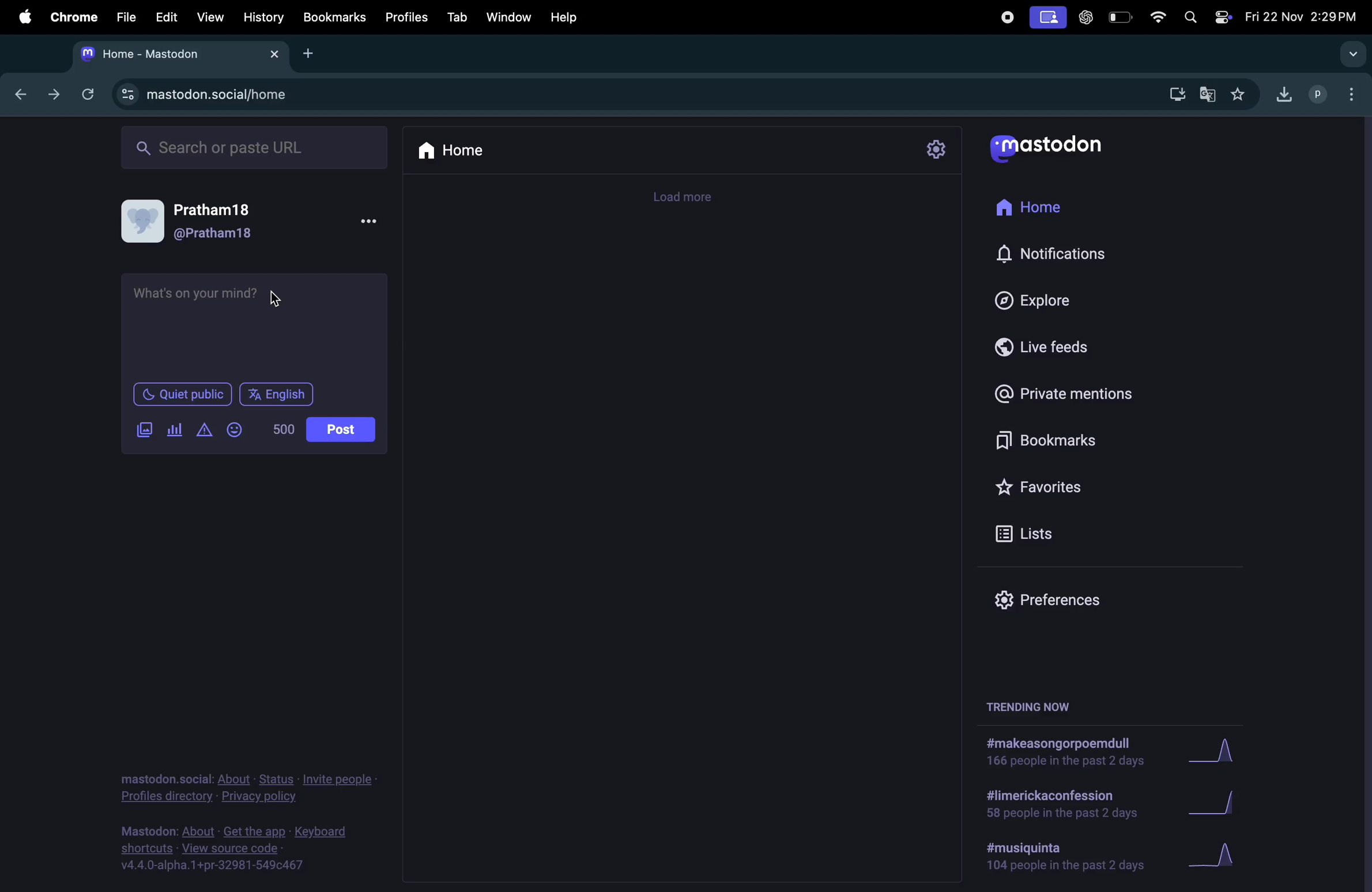 The image size is (1372, 892). I want to click on close, so click(275, 52).